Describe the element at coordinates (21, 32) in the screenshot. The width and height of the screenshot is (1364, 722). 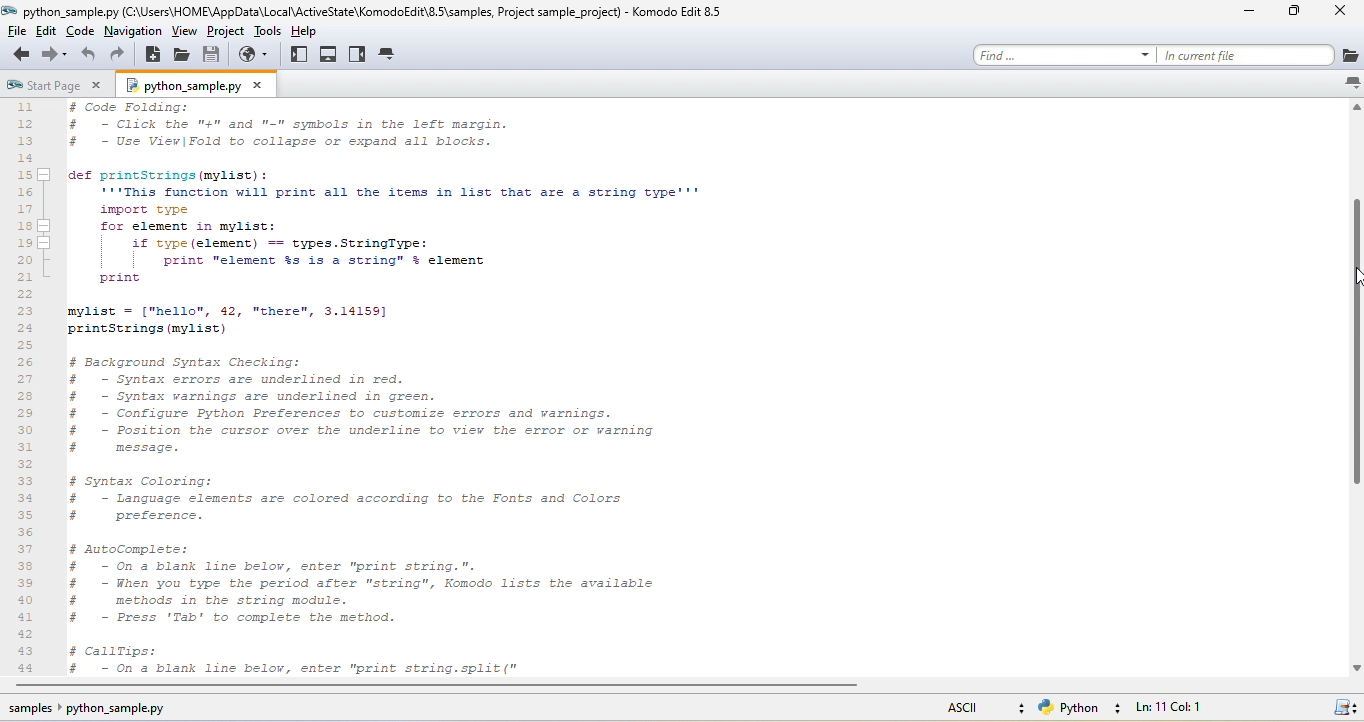
I see `file` at that location.